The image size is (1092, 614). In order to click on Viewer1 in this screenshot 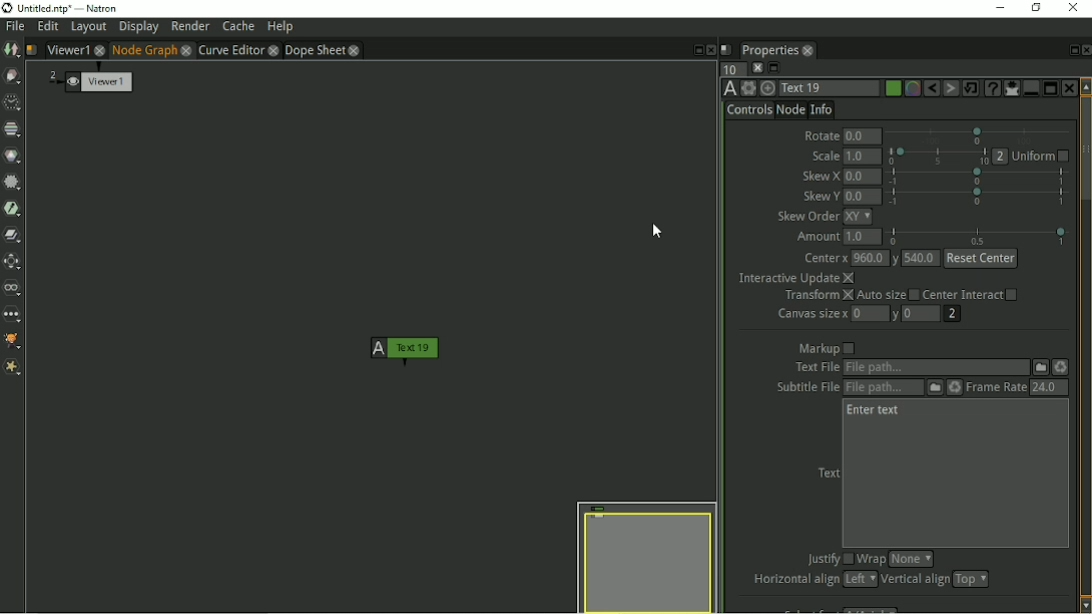, I will do `click(69, 48)`.